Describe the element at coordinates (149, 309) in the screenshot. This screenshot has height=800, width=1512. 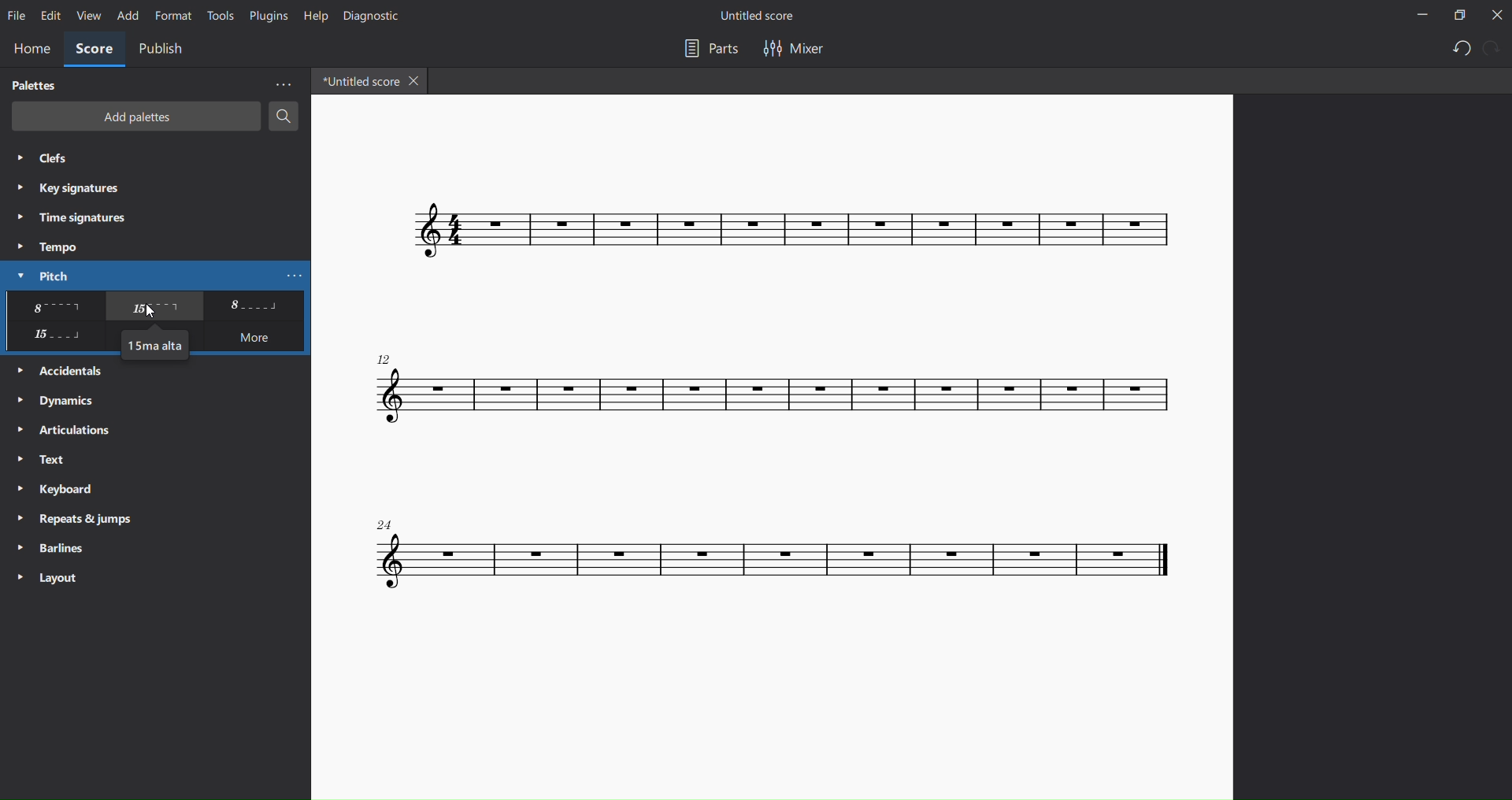
I see `cursor` at that location.